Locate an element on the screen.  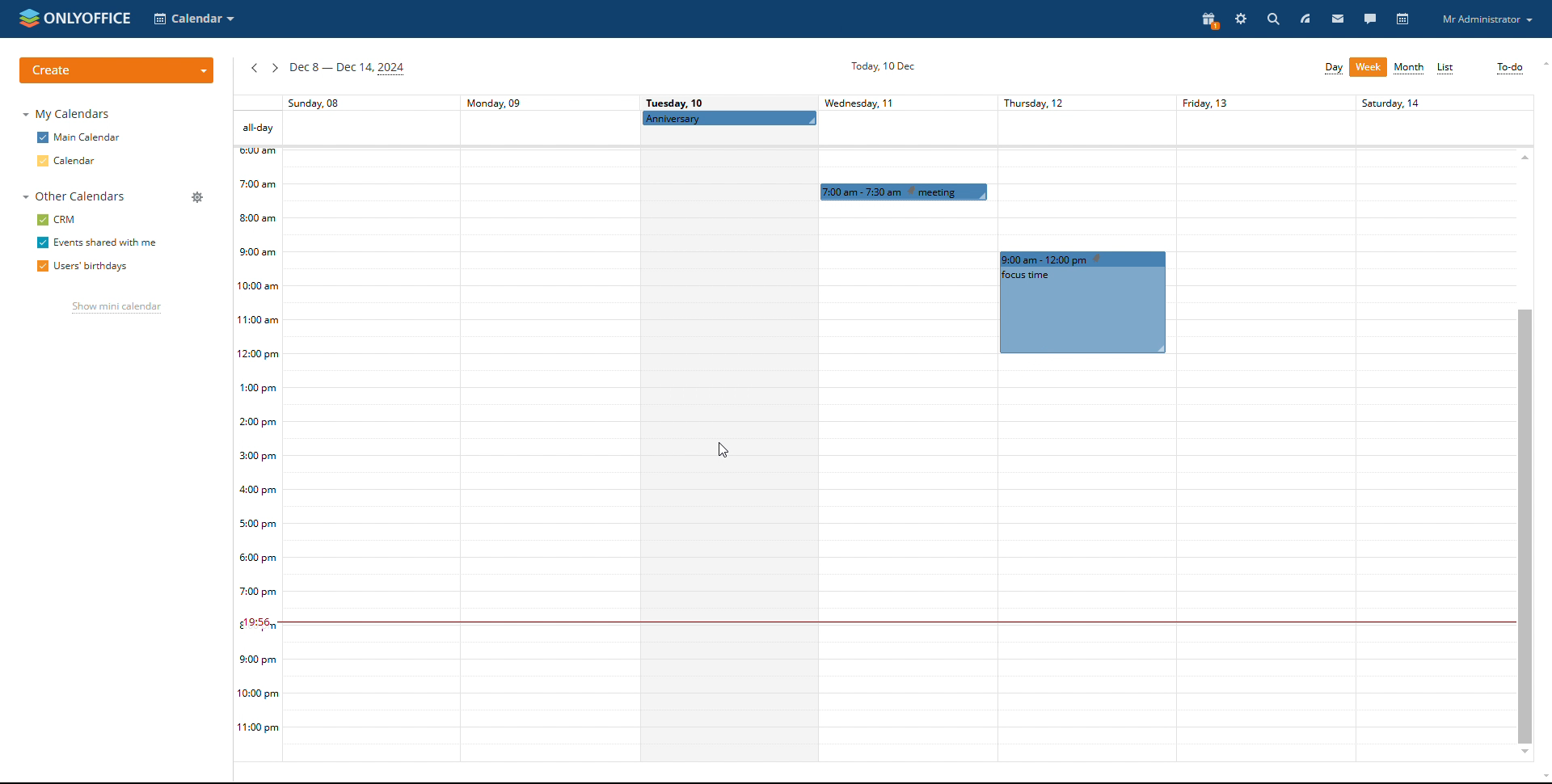
settings is located at coordinates (1240, 19).